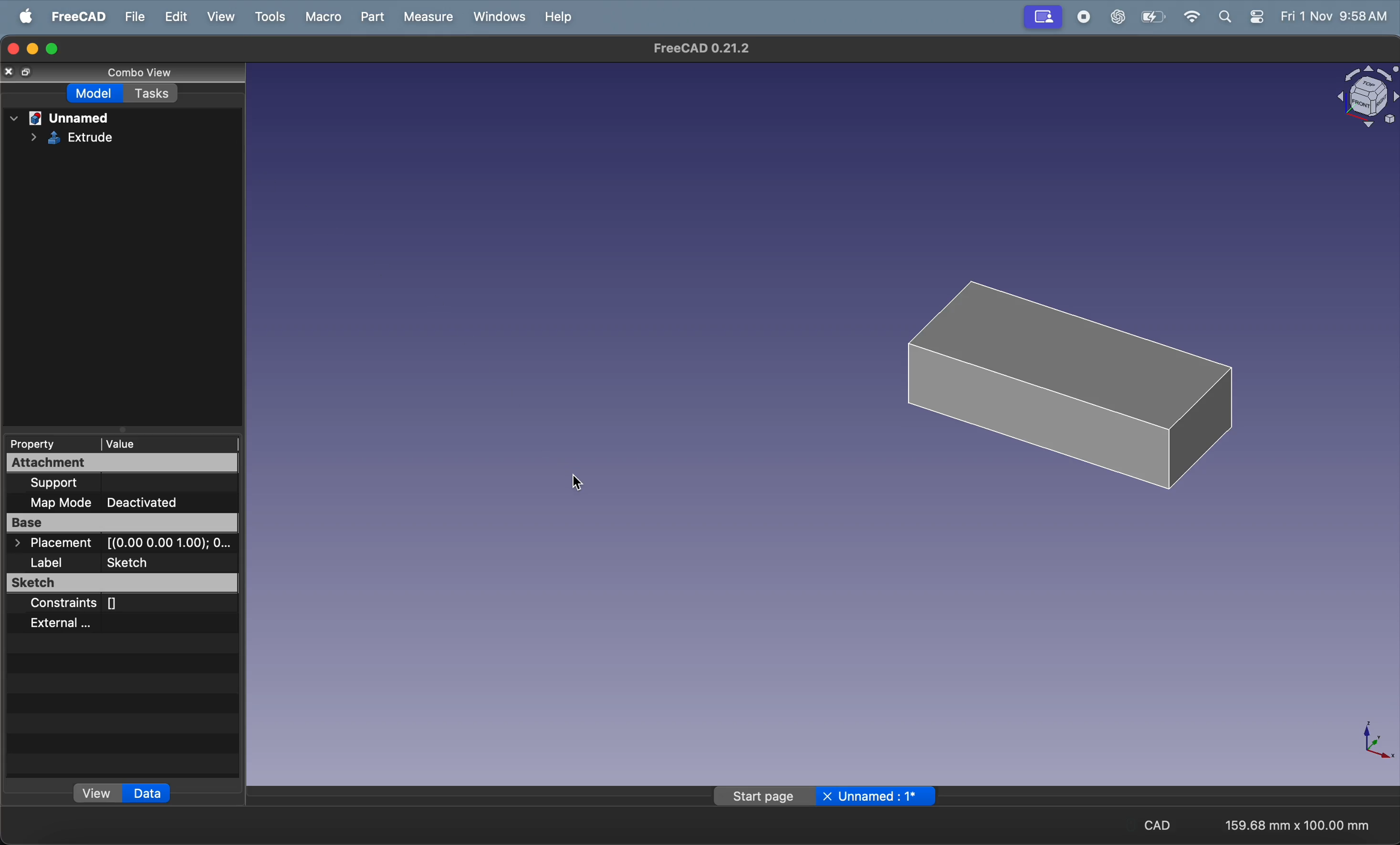 The height and width of the screenshot is (845, 1400). Describe the element at coordinates (1040, 18) in the screenshot. I see `Screen mirror` at that location.